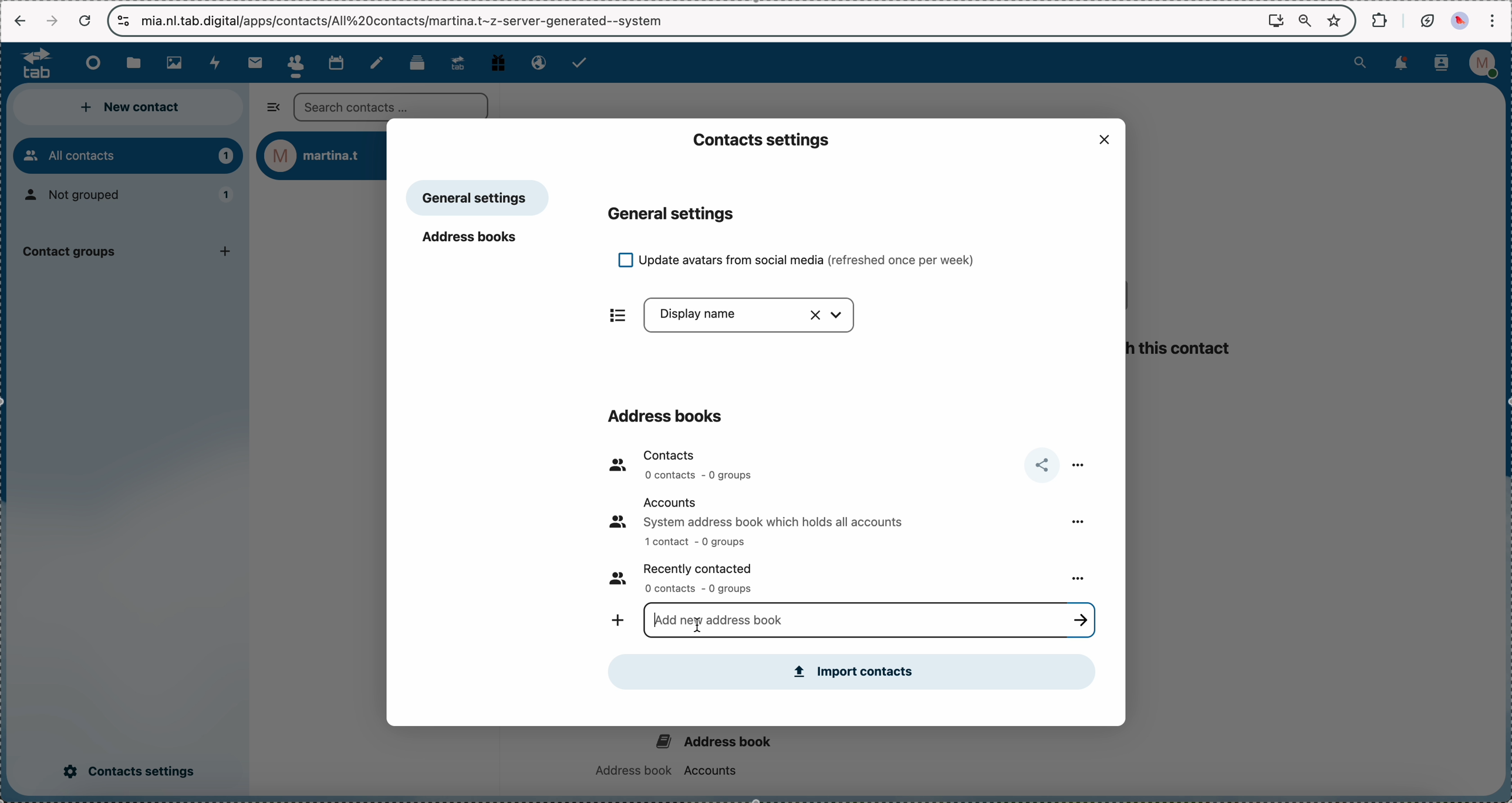 This screenshot has width=1512, height=803. Describe the element at coordinates (131, 109) in the screenshot. I see `new contact` at that location.